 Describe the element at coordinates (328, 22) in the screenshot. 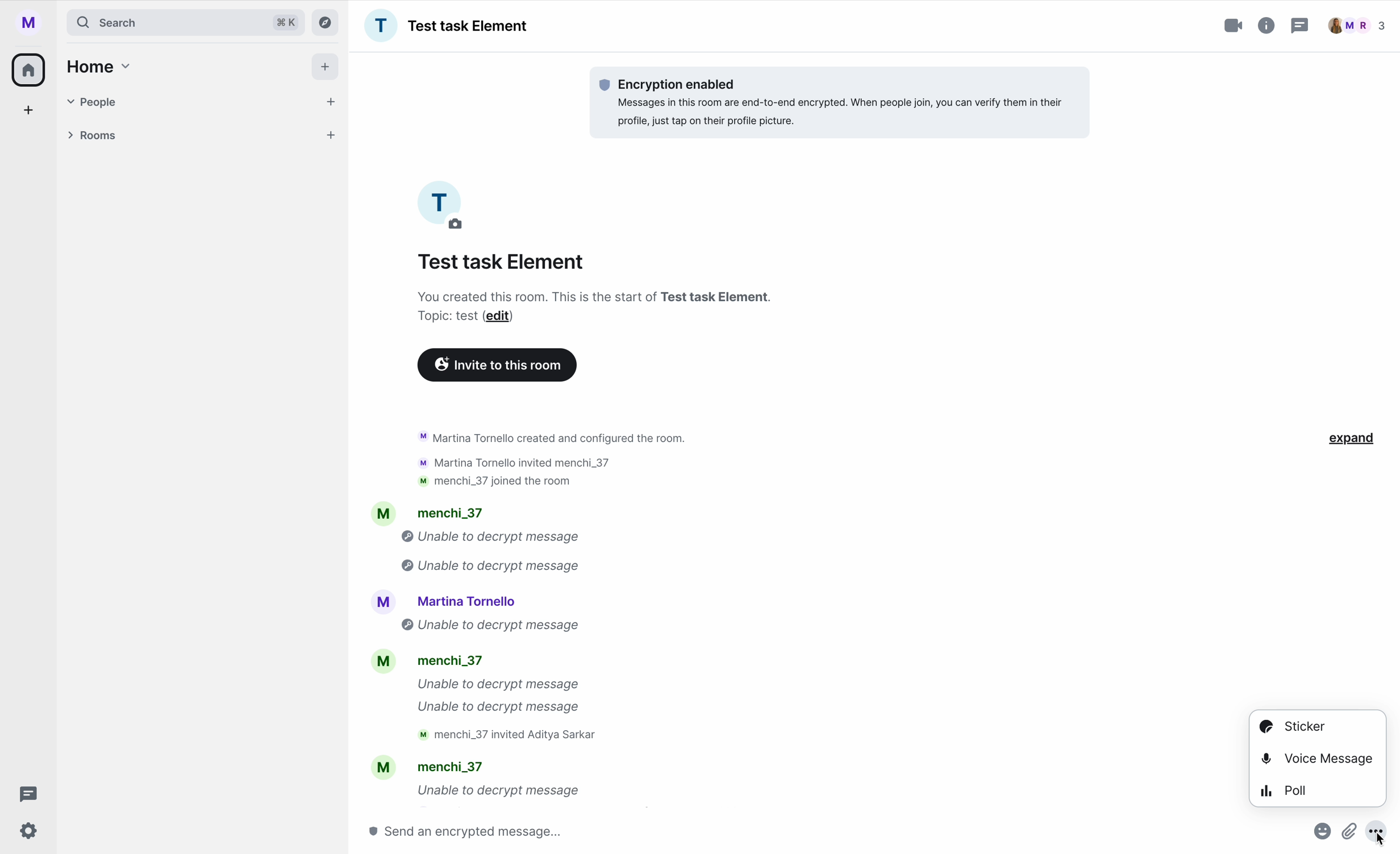

I see `explore` at that location.